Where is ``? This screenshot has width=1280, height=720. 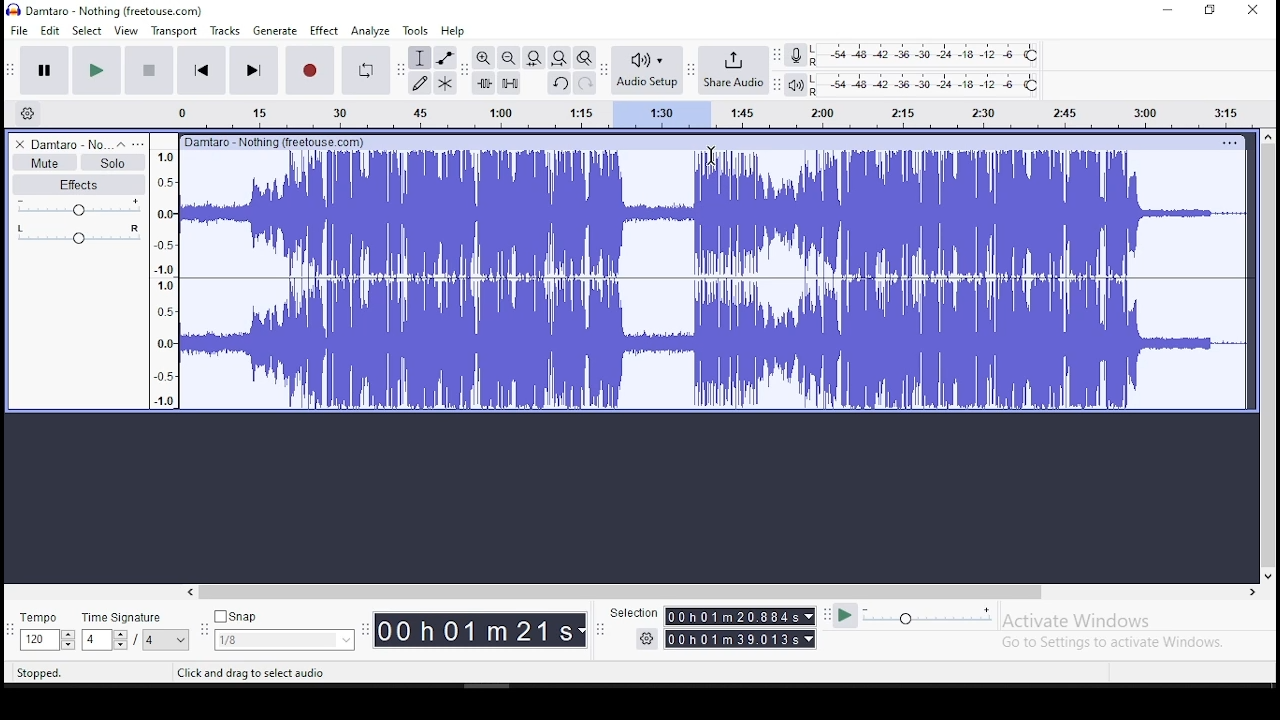  is located at coordinates (366, 628).